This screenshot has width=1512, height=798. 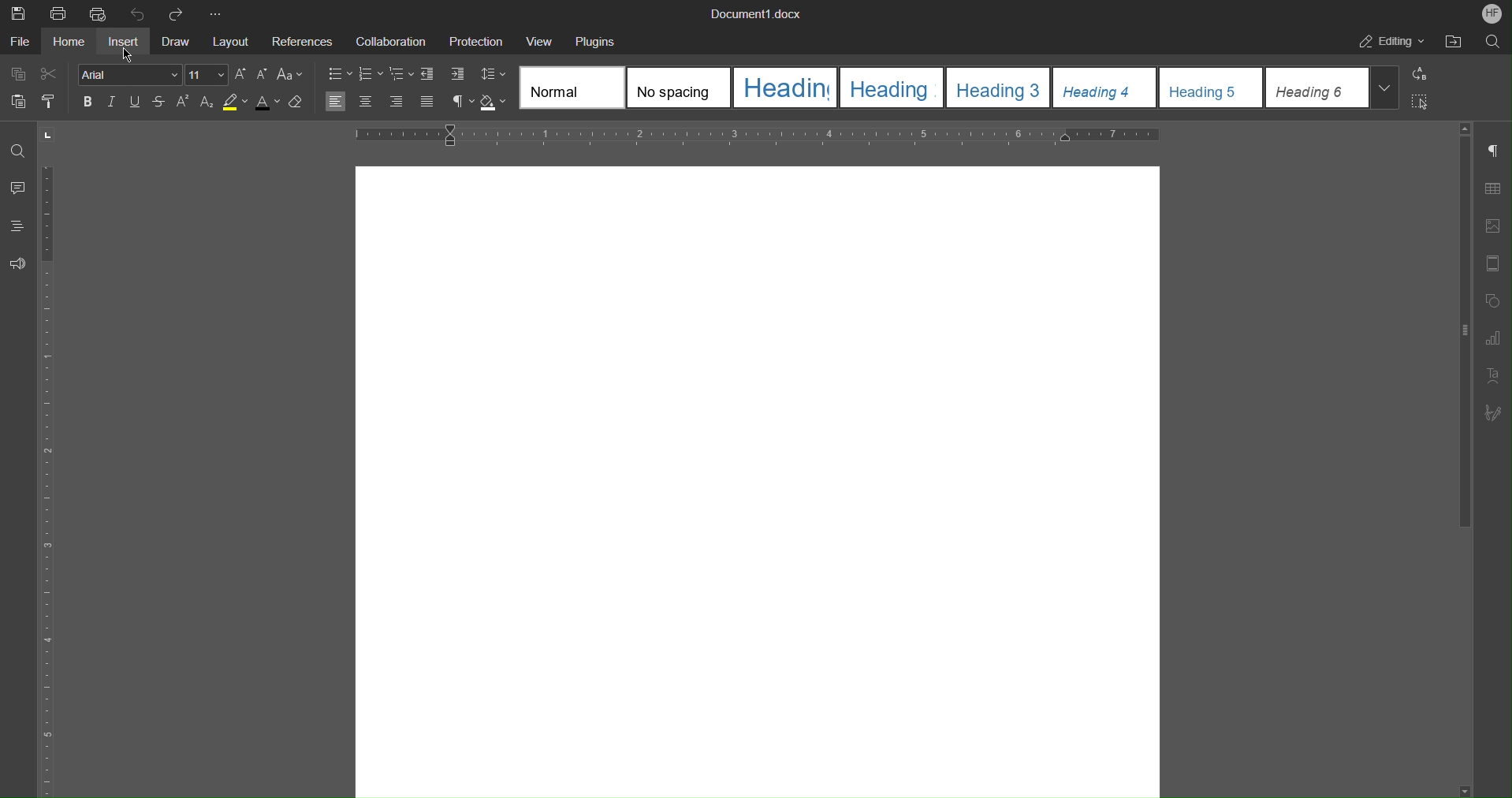 I want to click on No spacing, so click(x=681, y=89).